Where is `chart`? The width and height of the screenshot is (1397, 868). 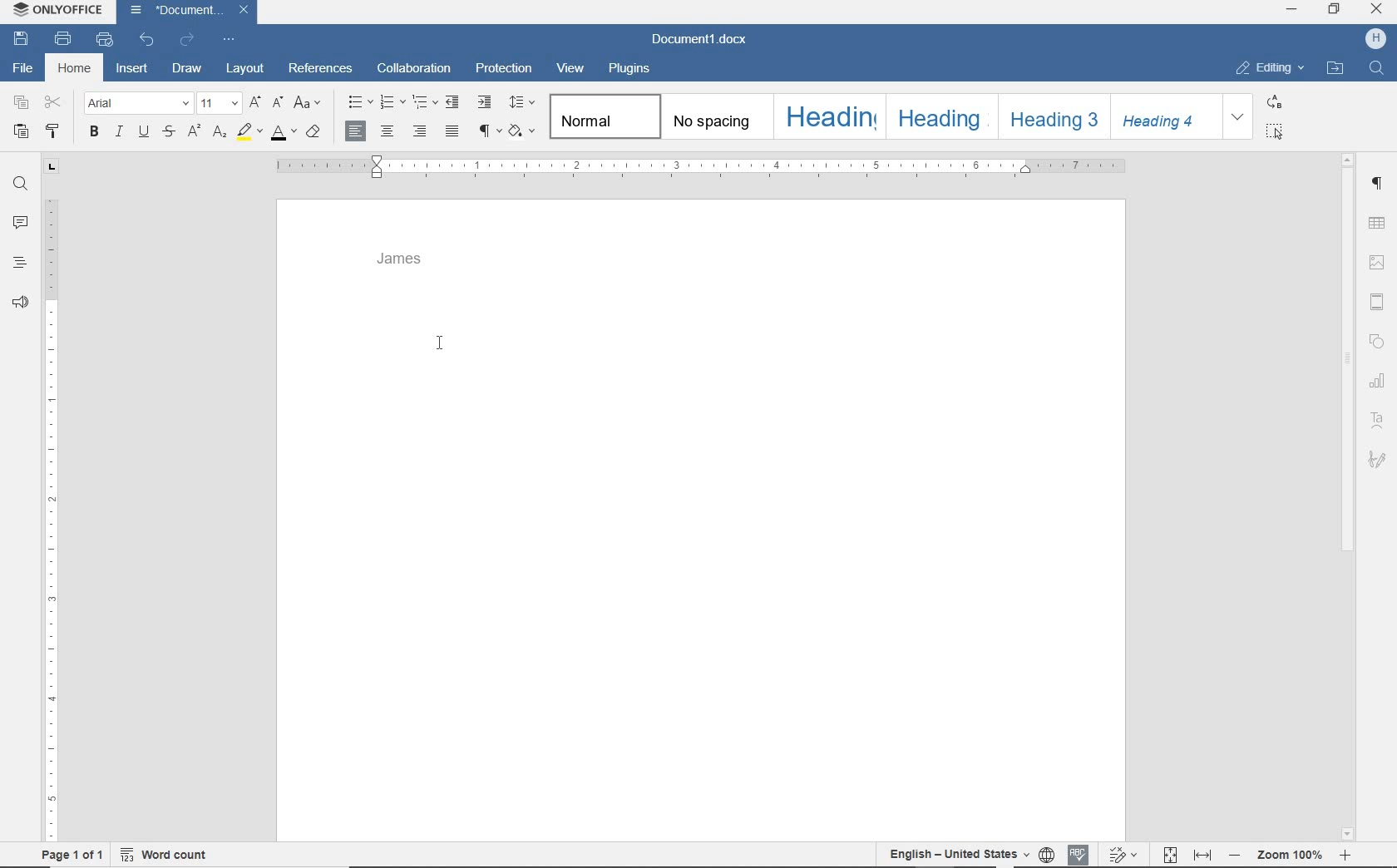
chart is located at coordinates (1377, 376).